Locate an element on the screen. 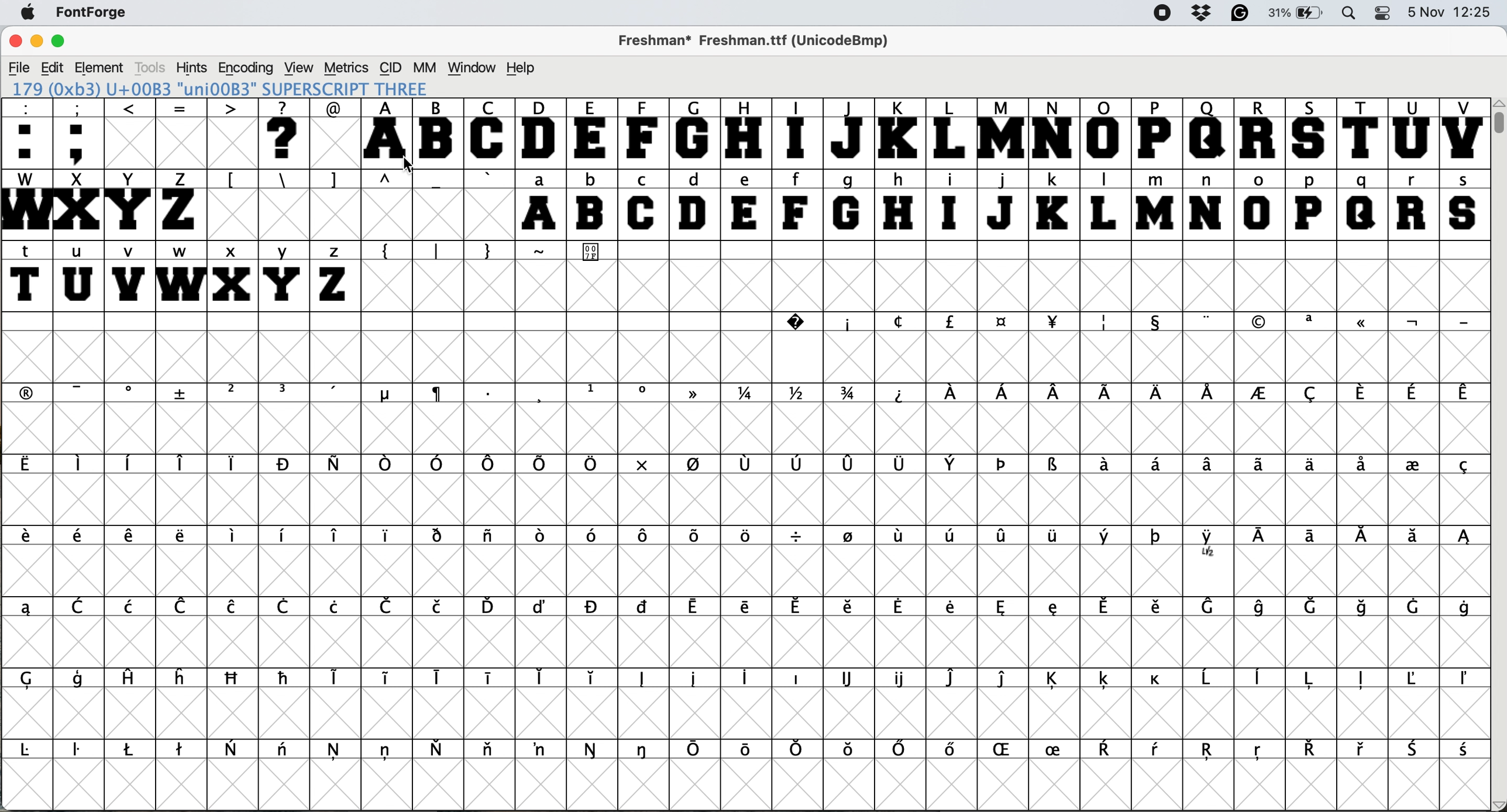 This screenshot has height=812, width=1507. symbol is located at coordinates (232, 748).